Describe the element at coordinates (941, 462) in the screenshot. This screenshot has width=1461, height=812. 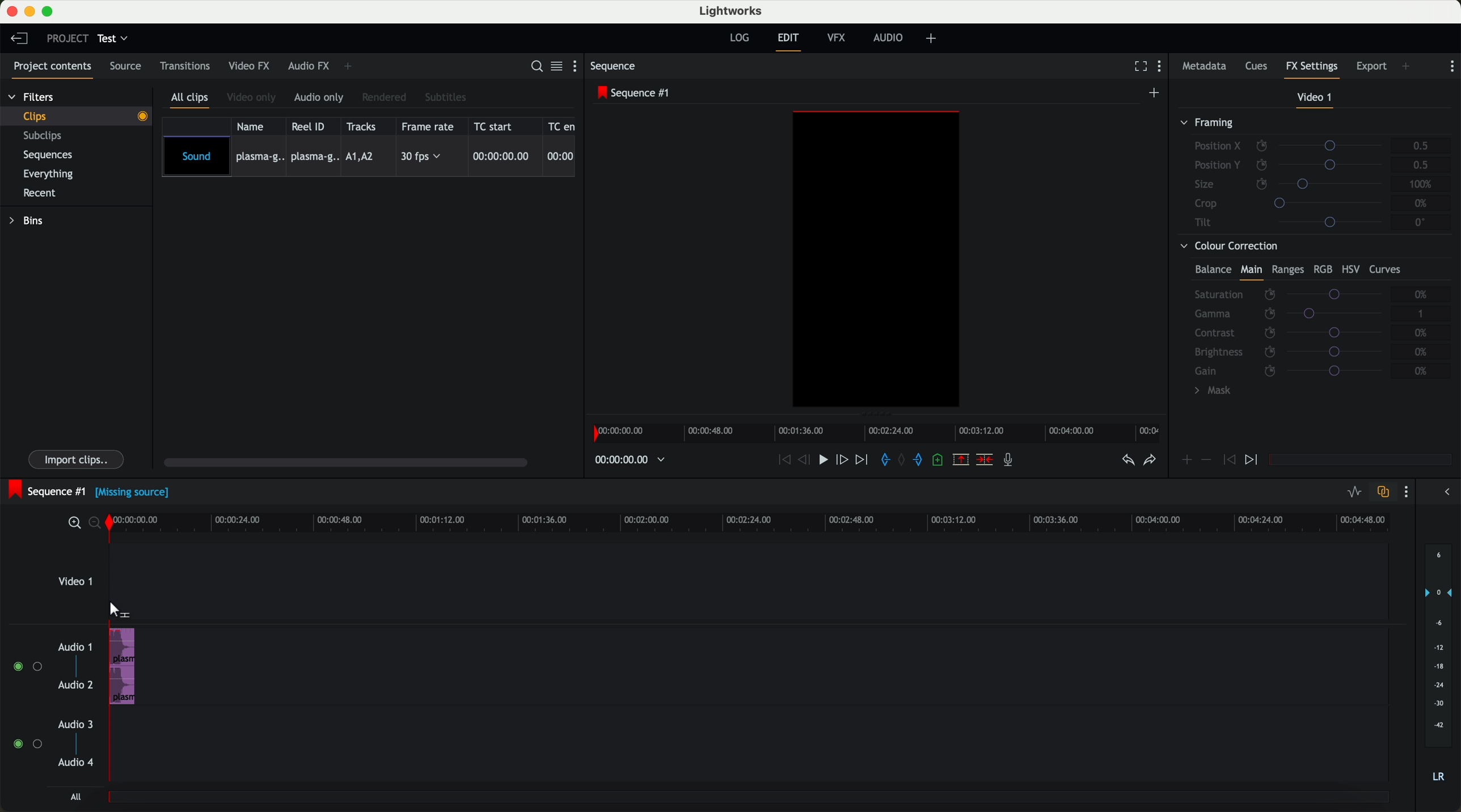
I see `add a cue at the current position` at that location.